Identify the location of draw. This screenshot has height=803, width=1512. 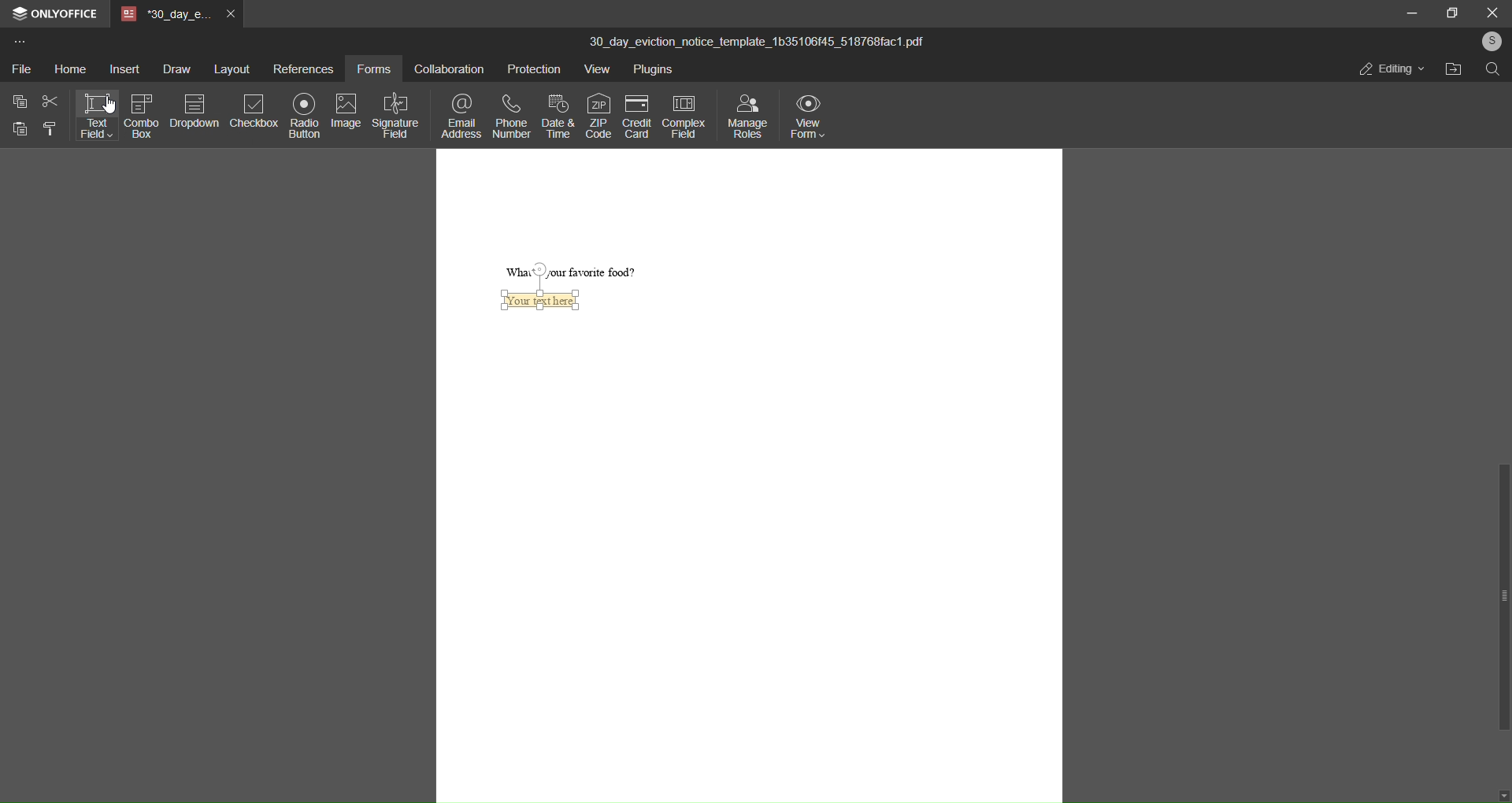
(176, 70).